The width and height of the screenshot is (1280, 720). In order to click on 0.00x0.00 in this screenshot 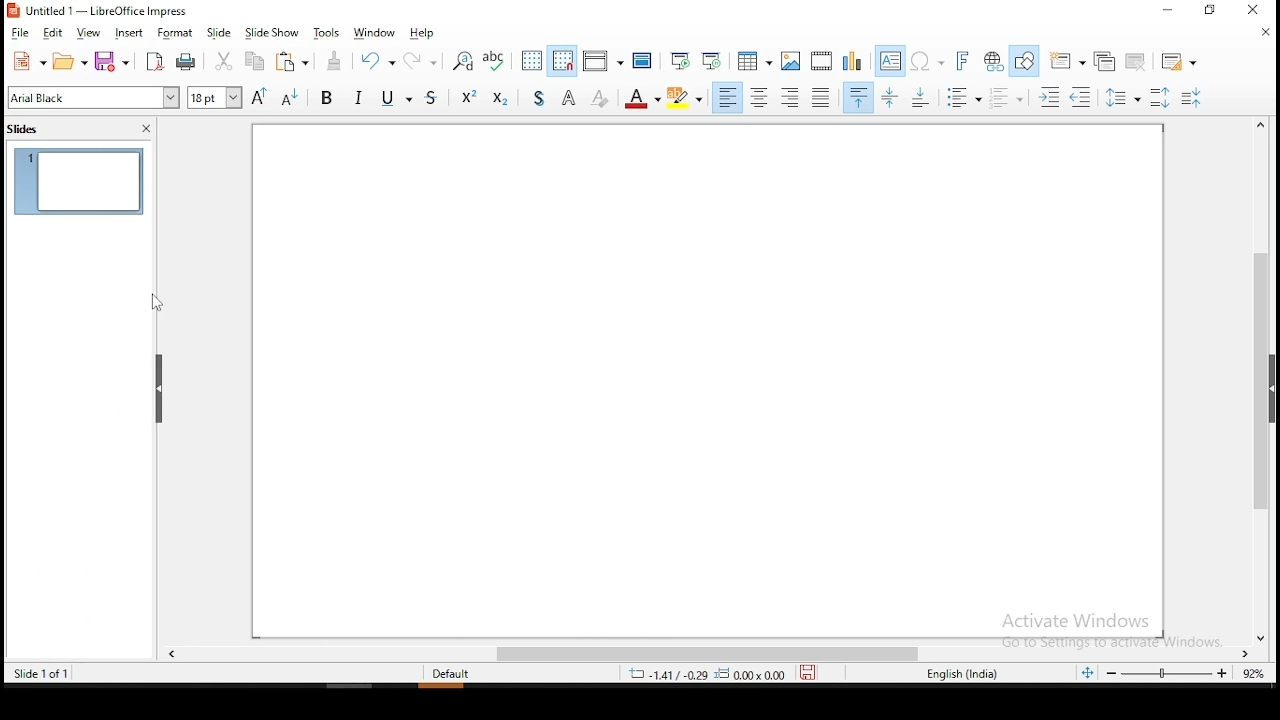, I will do `click(752, 674)`.